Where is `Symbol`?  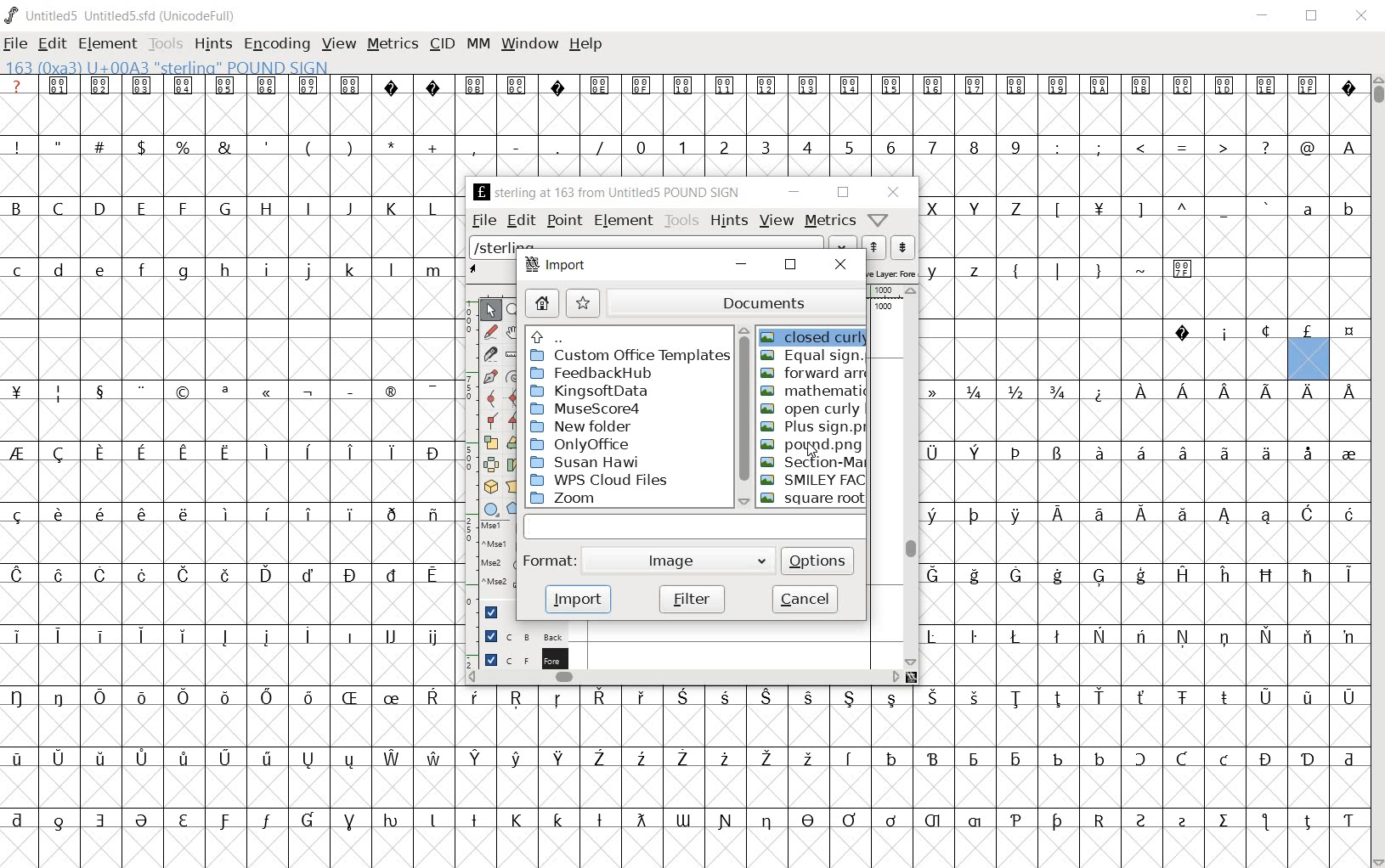 Symbol is located at coordinates (1184, 268).